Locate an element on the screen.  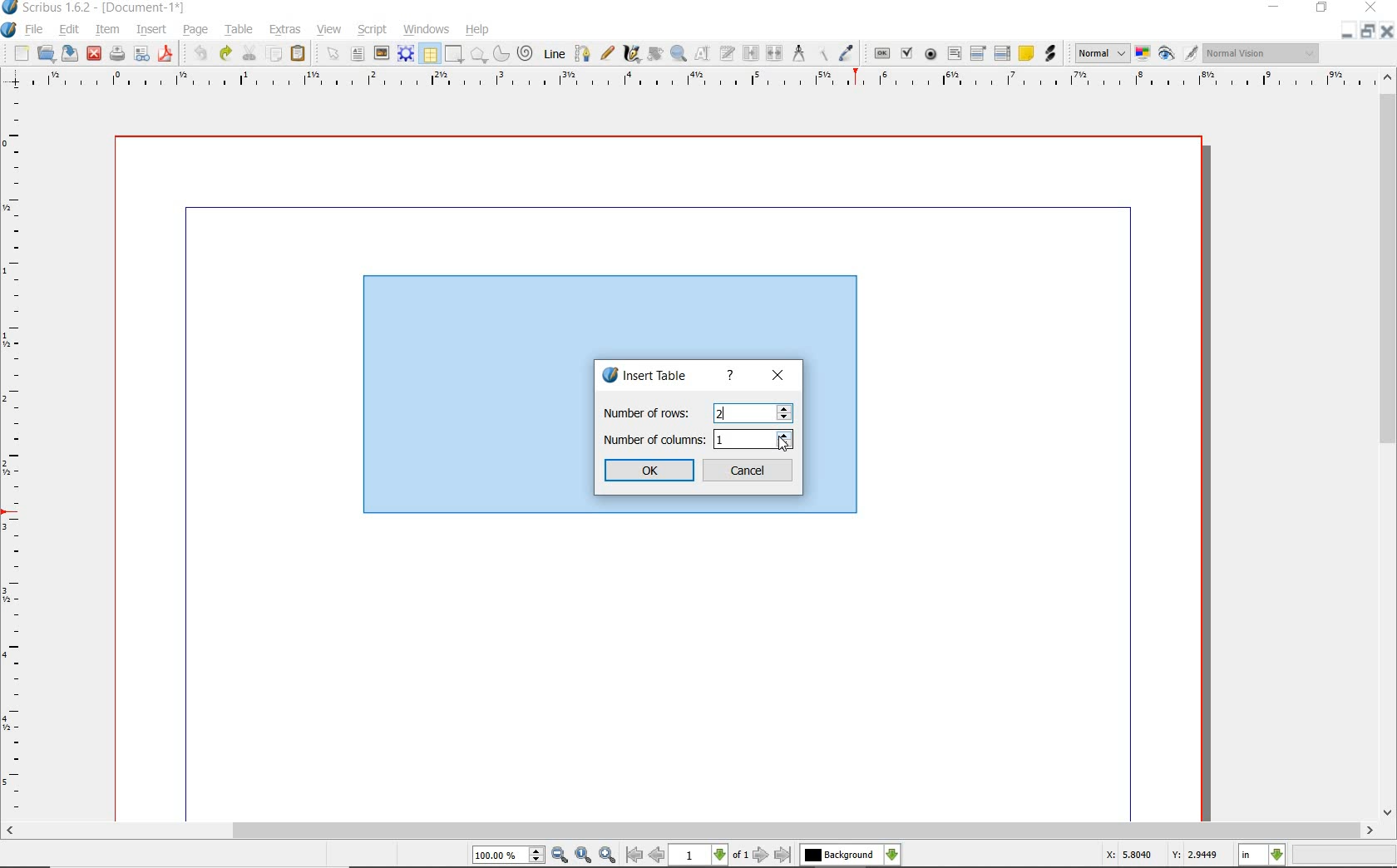
help is located at coordinates (477, 30).